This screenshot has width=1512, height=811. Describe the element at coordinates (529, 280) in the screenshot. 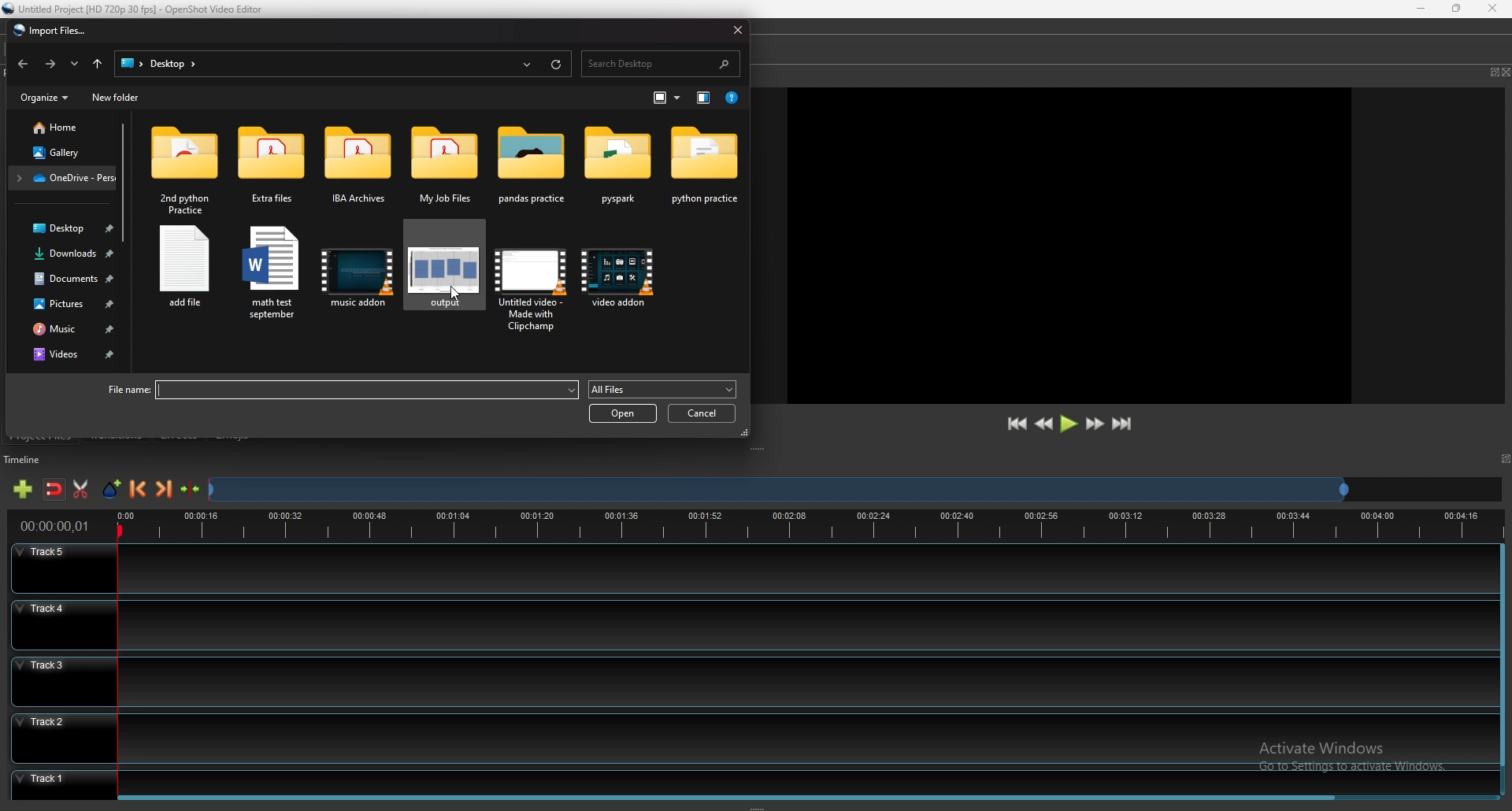

I see `file` at that location.